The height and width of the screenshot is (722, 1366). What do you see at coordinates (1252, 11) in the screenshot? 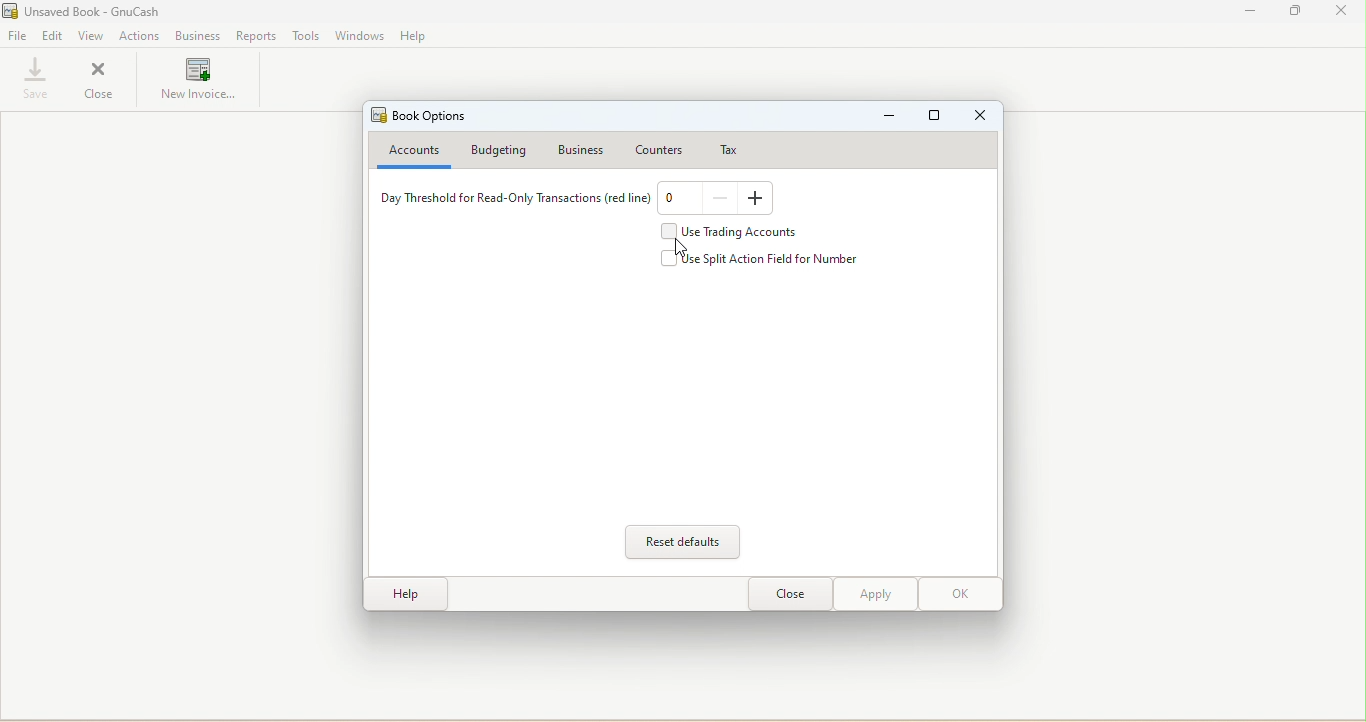
I see `Minimize` at bounding box center [1252, 11].